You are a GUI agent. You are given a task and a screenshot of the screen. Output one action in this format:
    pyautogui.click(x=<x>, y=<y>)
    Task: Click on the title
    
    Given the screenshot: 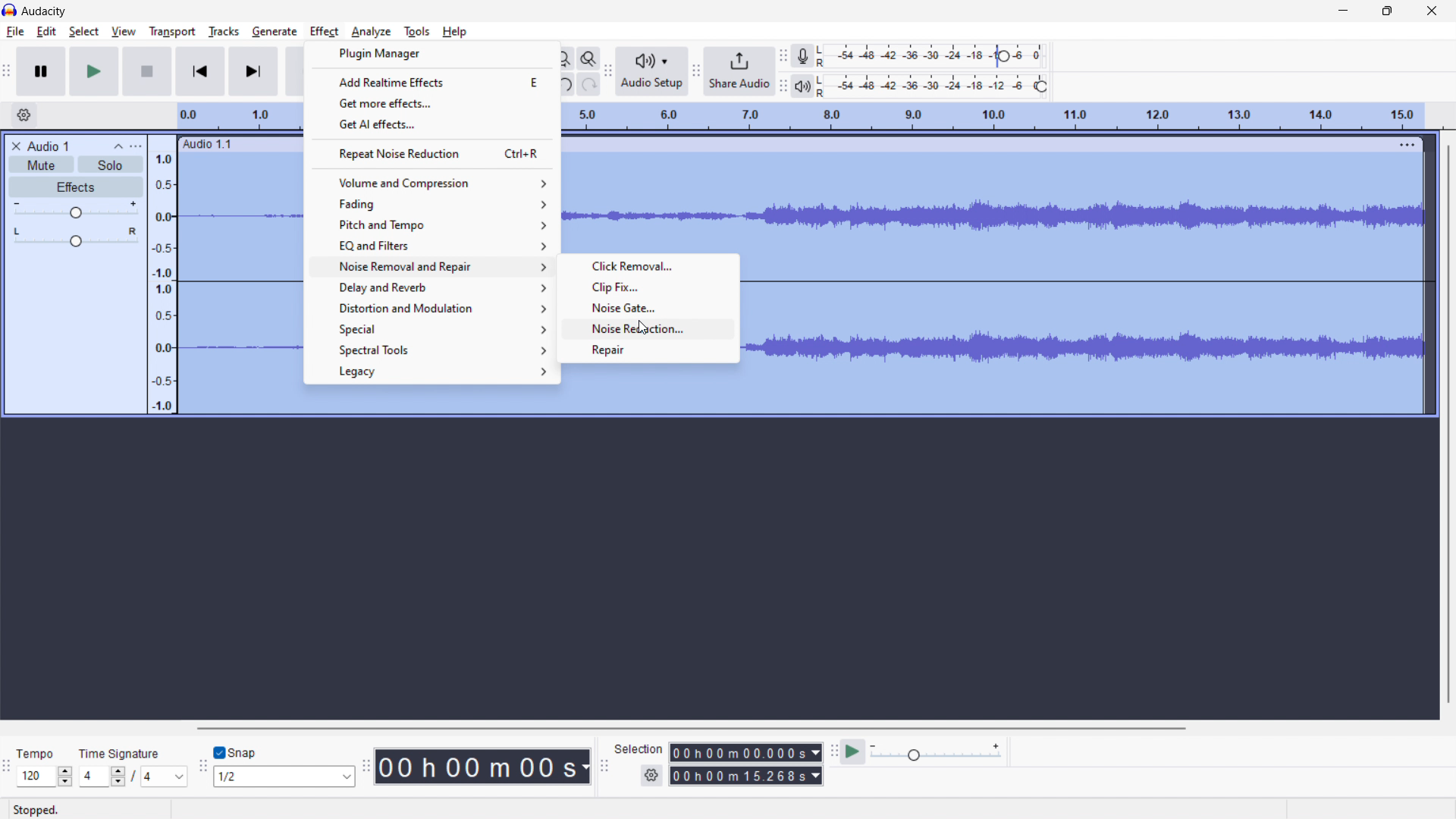 What is the action you would take?
    pyautogui.click(x=47, y=146)
    